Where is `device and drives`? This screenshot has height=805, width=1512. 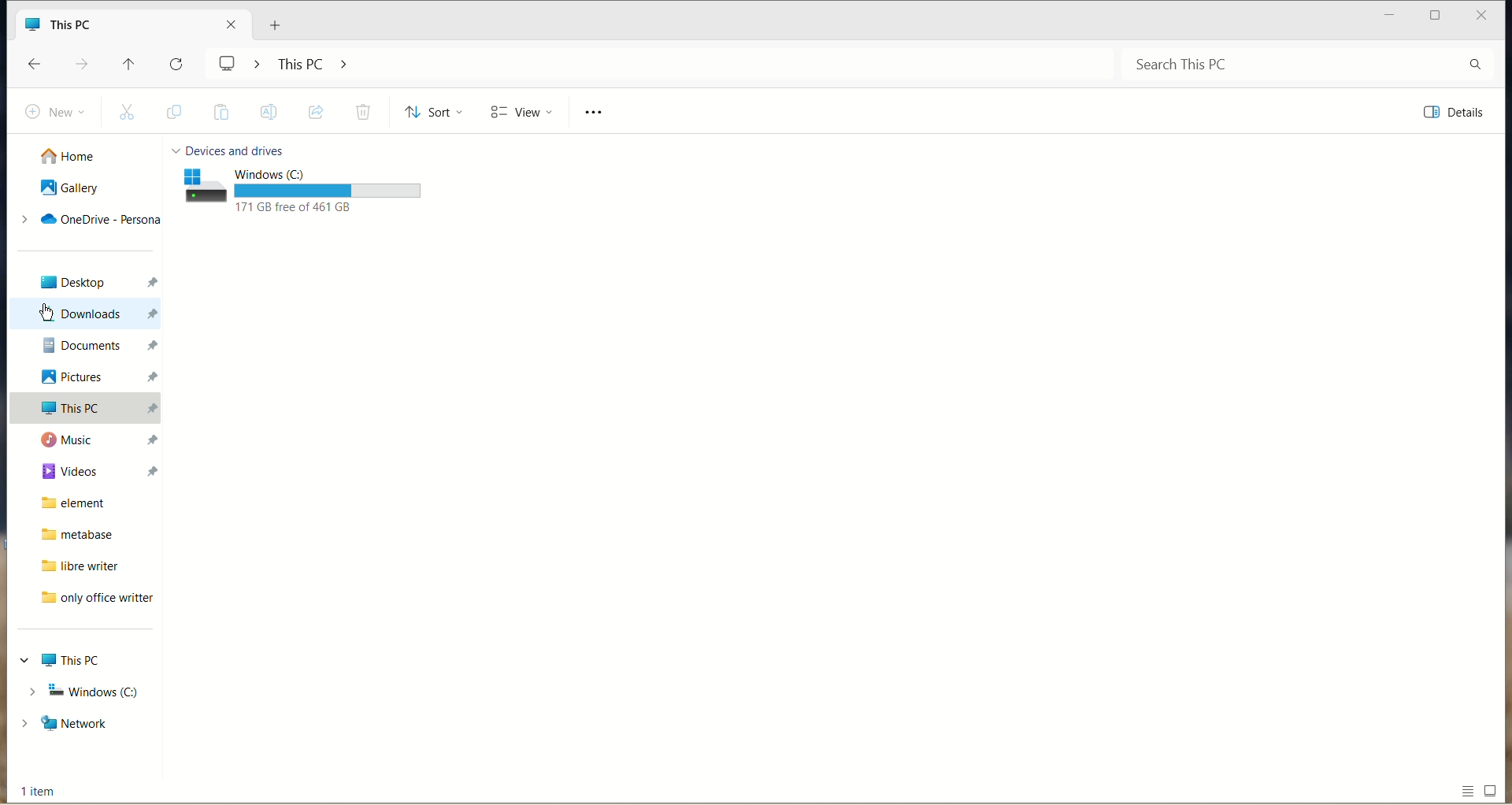 device and drives is located at coordinates (238, 149).